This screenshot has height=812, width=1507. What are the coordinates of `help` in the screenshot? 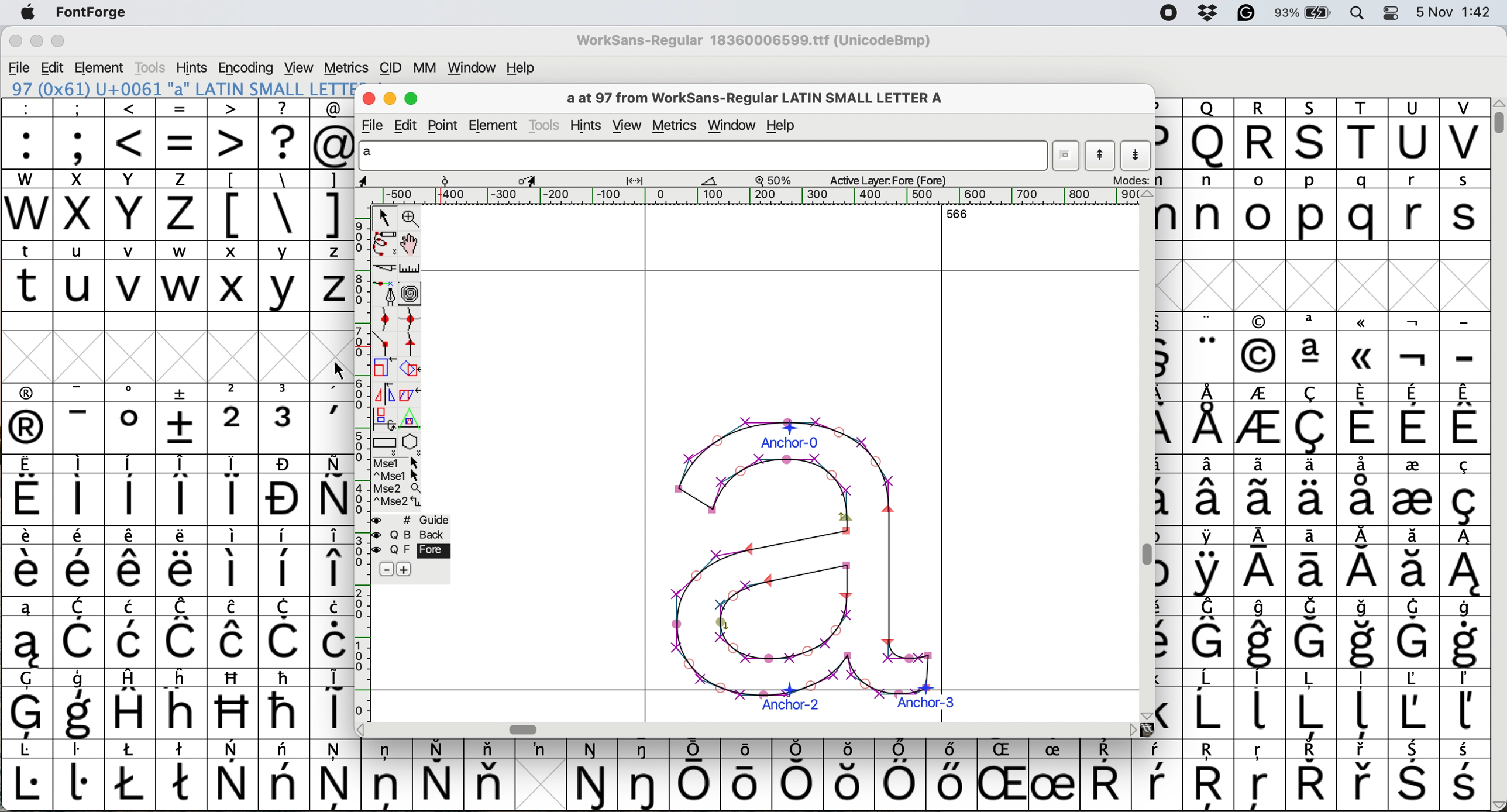 It's located at (787, 126).